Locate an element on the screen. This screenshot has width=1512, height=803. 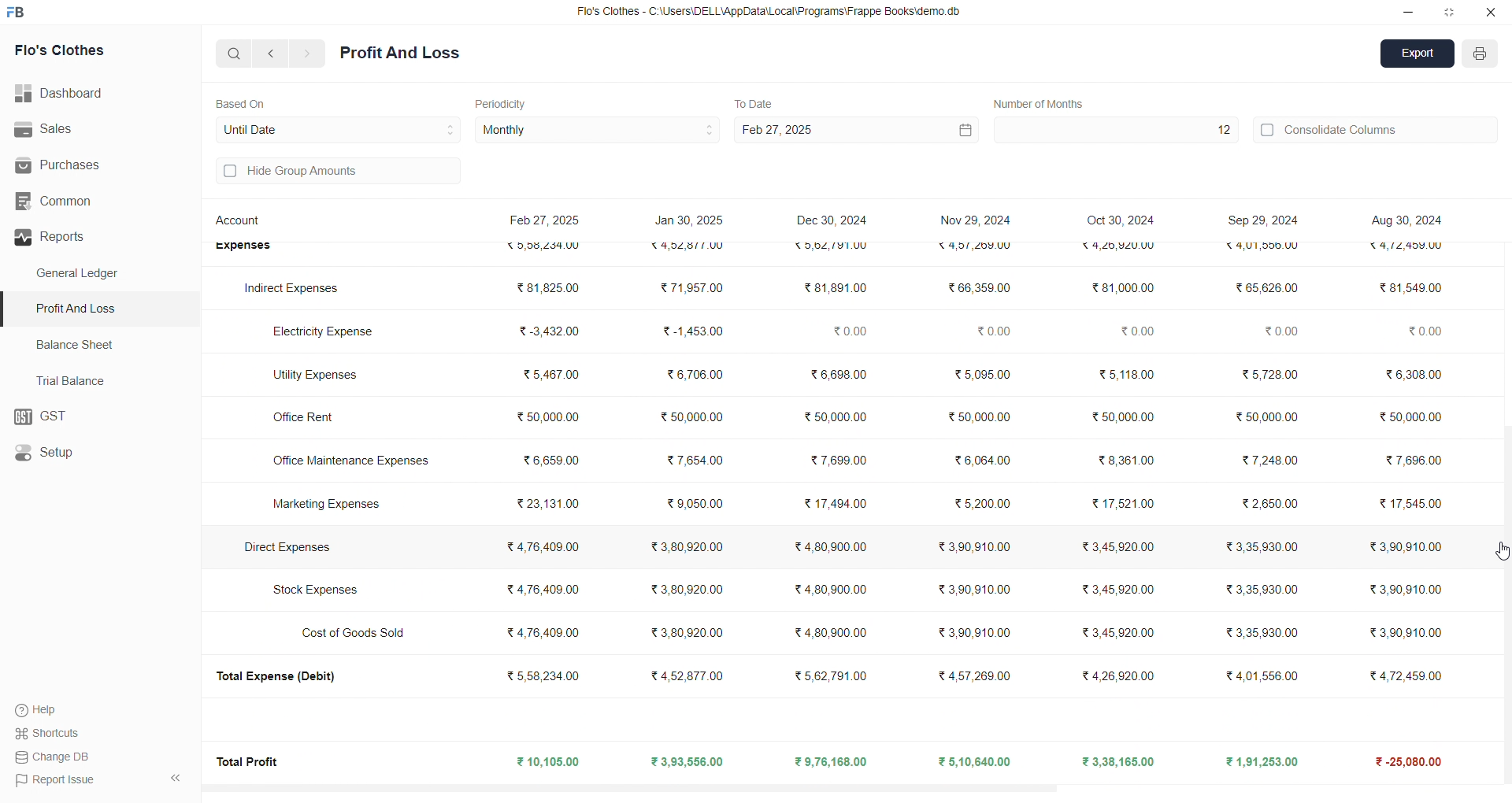
₹ 3,45,920.00 is located at coordinates (1121, 547).